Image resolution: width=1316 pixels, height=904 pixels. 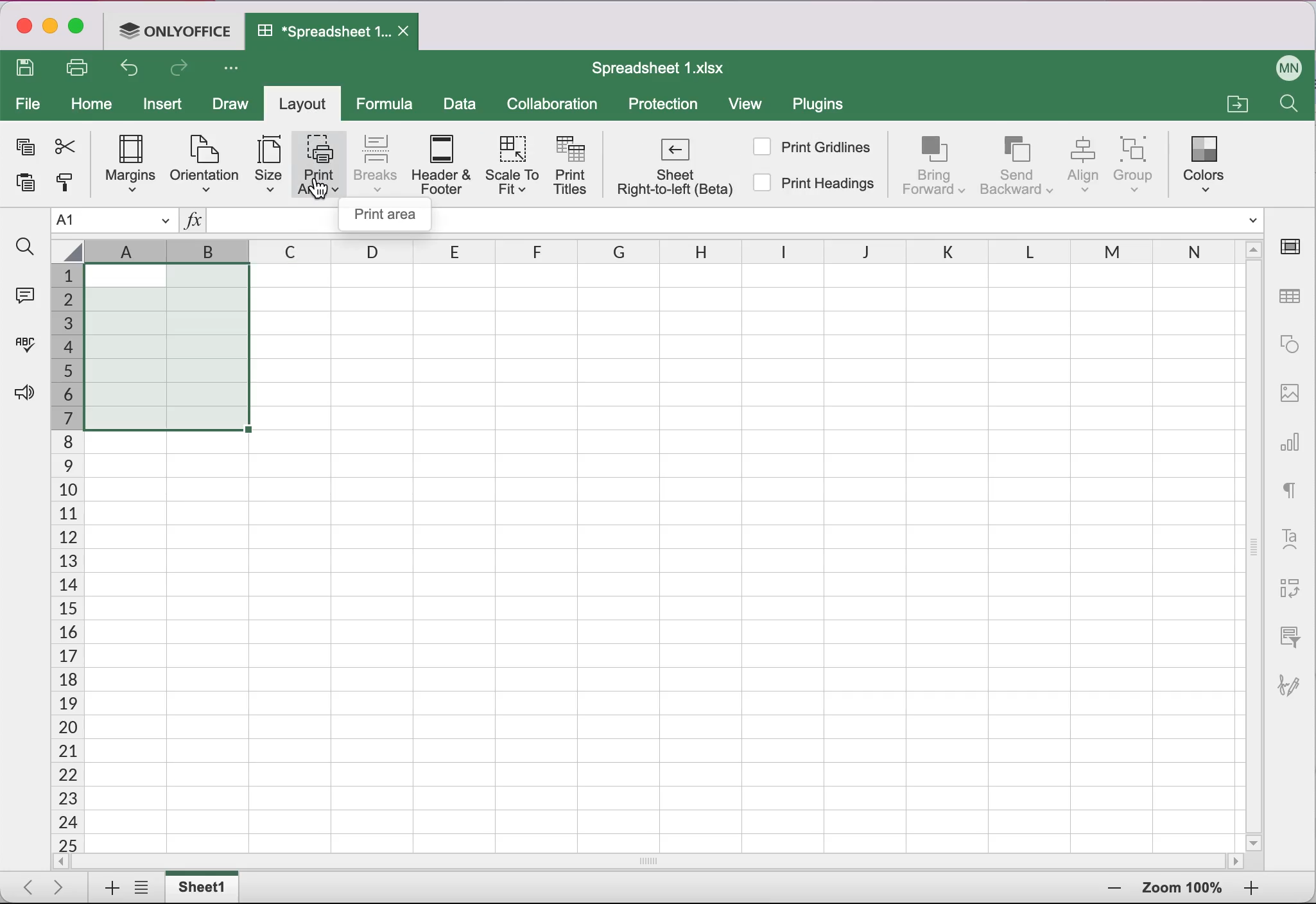 What do you see at coordinates (1290, 344) in the screenshot?
I see `shape` at bounding box center [1290, 344].